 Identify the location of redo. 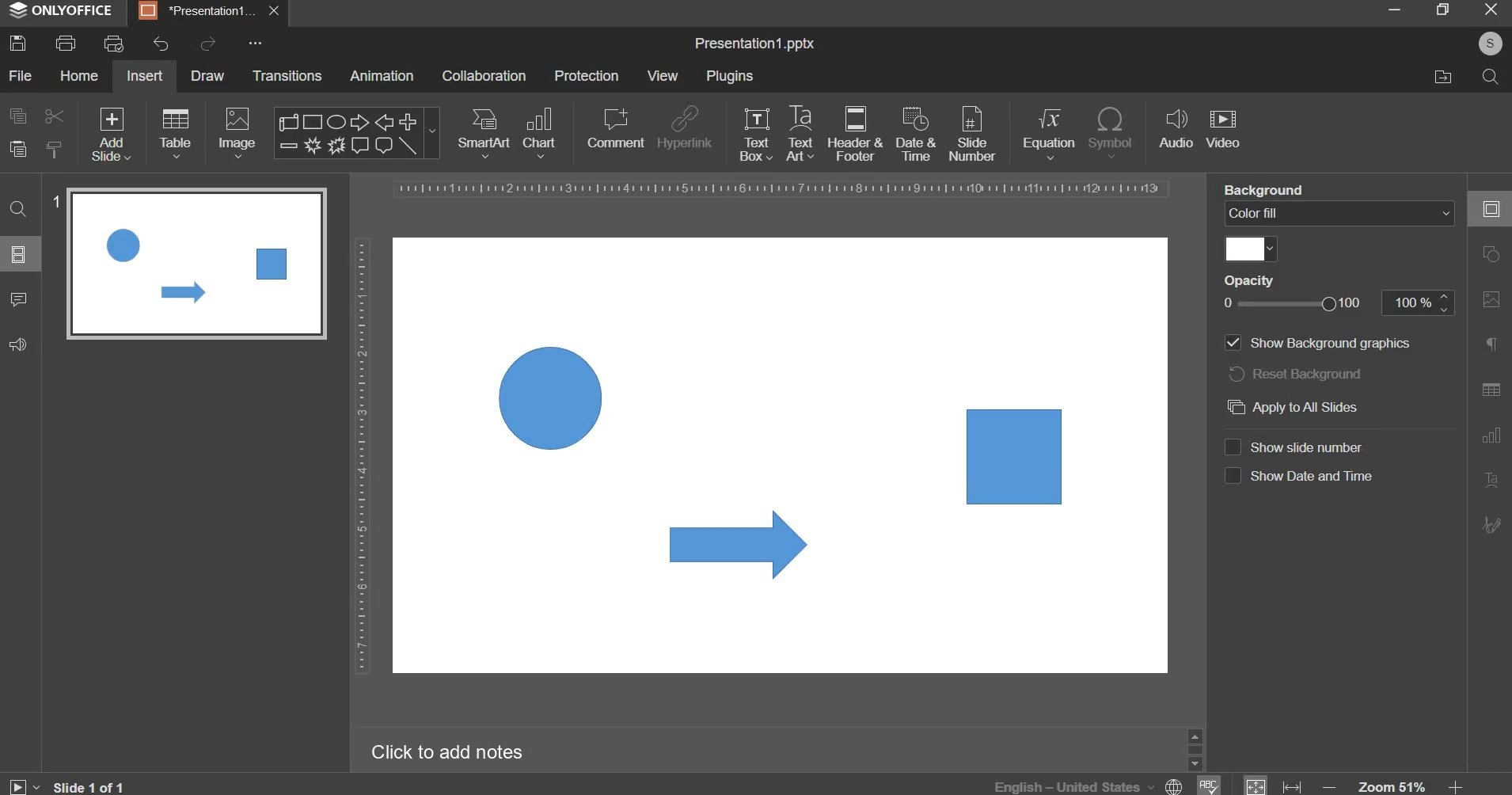
(206, 44).